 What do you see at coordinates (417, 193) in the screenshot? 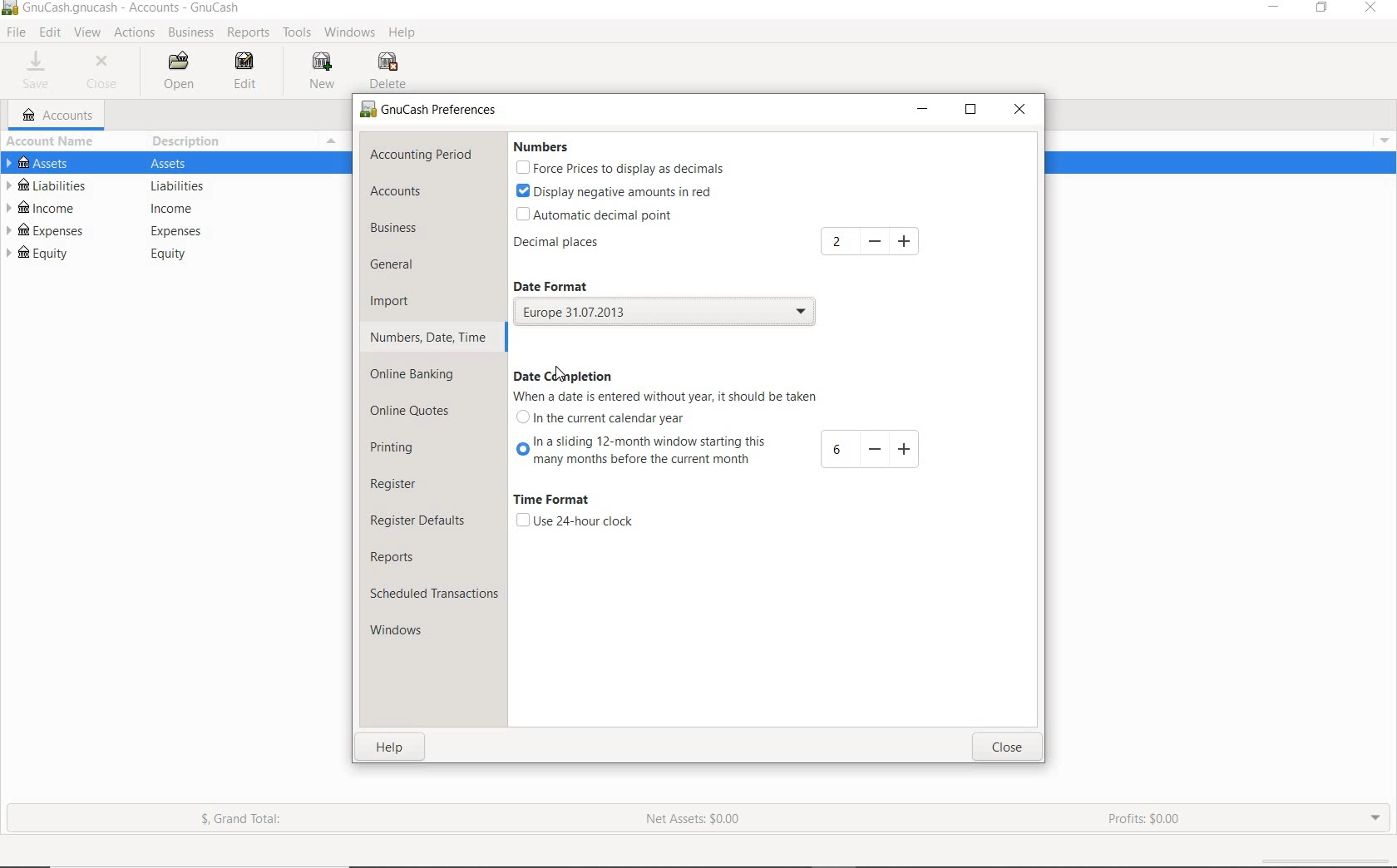
I see `accounts` at bounding box center [417, 193].